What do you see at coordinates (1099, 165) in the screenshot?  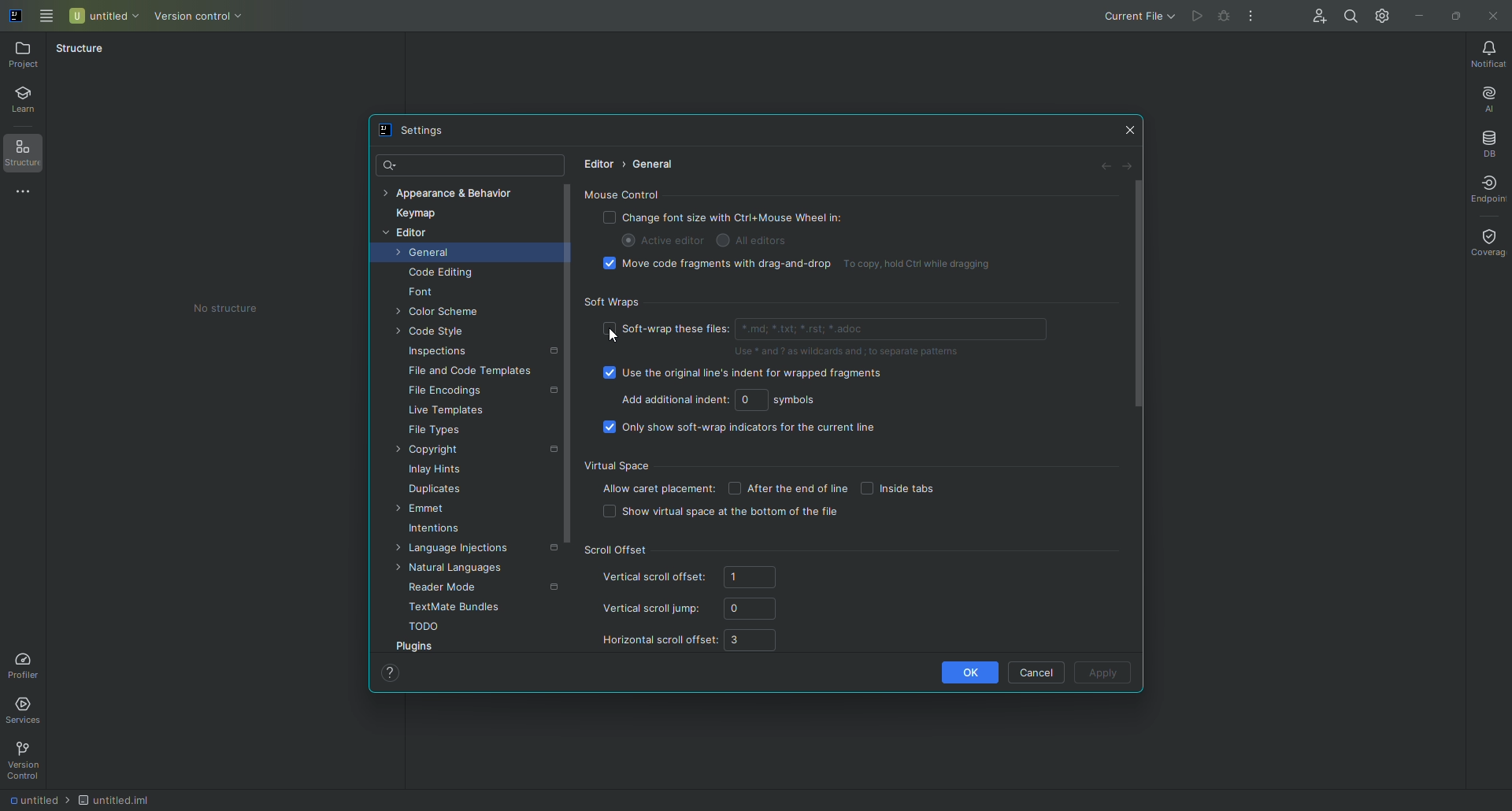 I see `Back` at bounding box center [1099, 165].